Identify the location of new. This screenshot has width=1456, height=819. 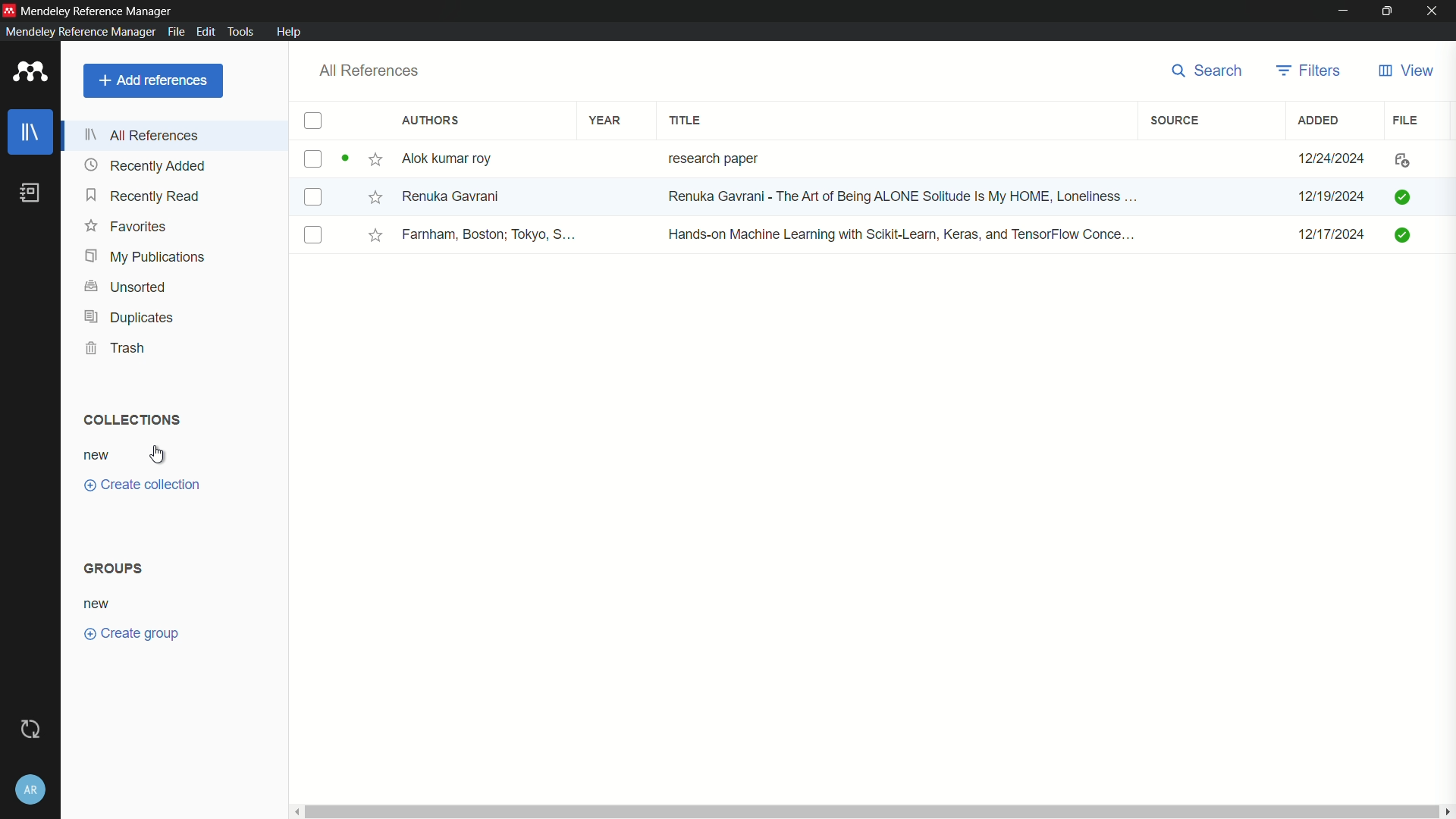
(101, 604).